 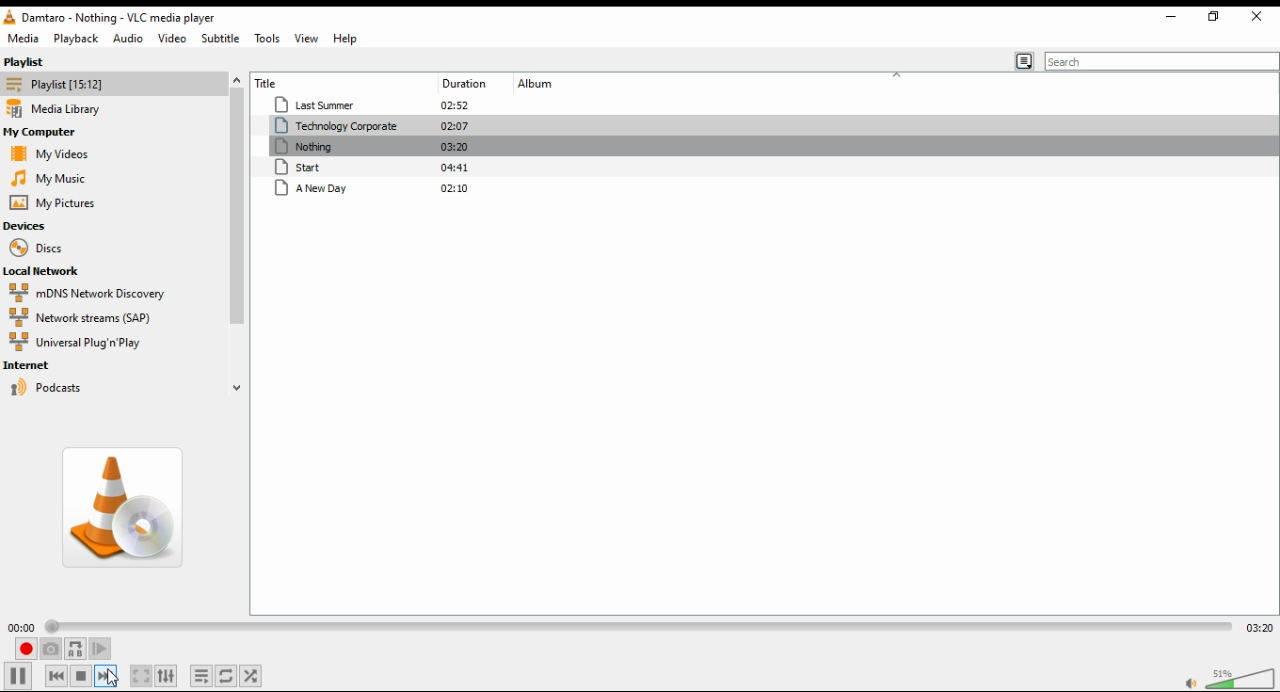 I want to click on 00:00, so click(x=22, y=627).